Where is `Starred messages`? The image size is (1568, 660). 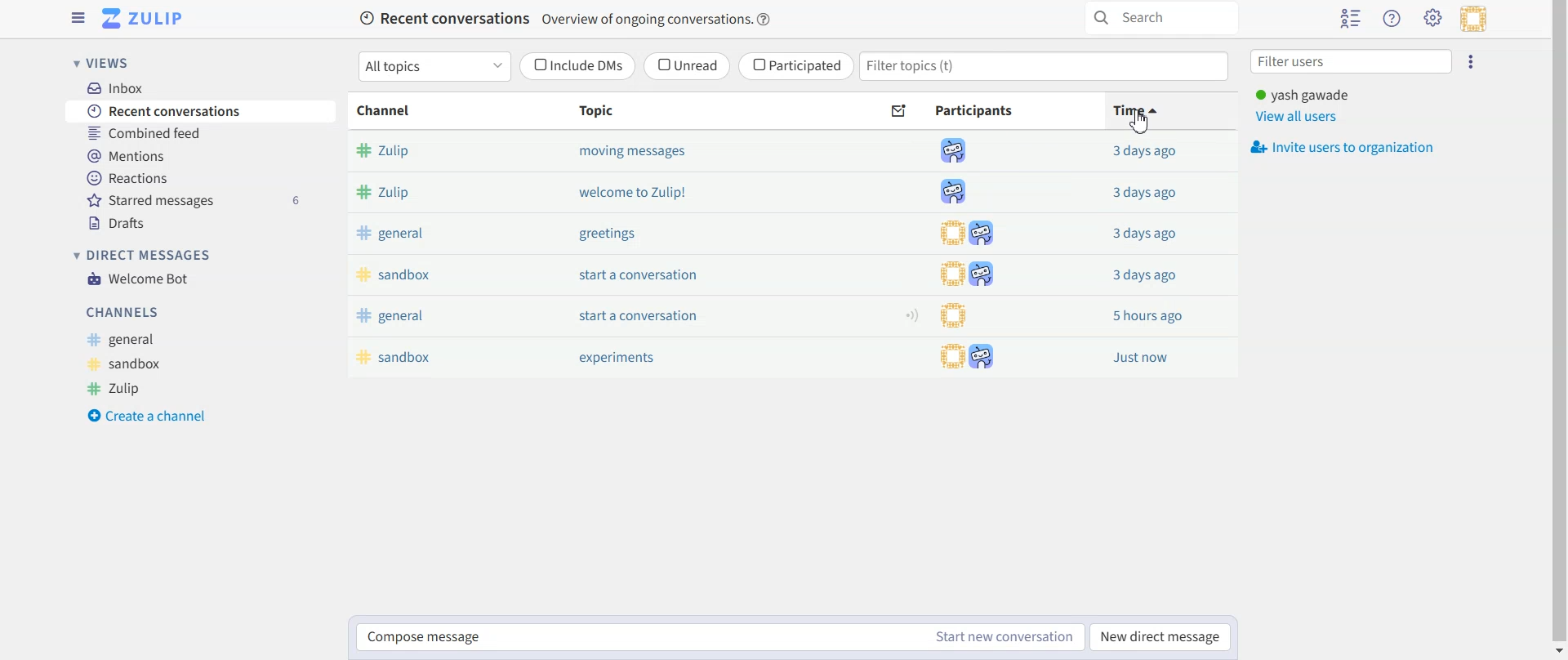 Starred messages is located at coordinates (201, 199).